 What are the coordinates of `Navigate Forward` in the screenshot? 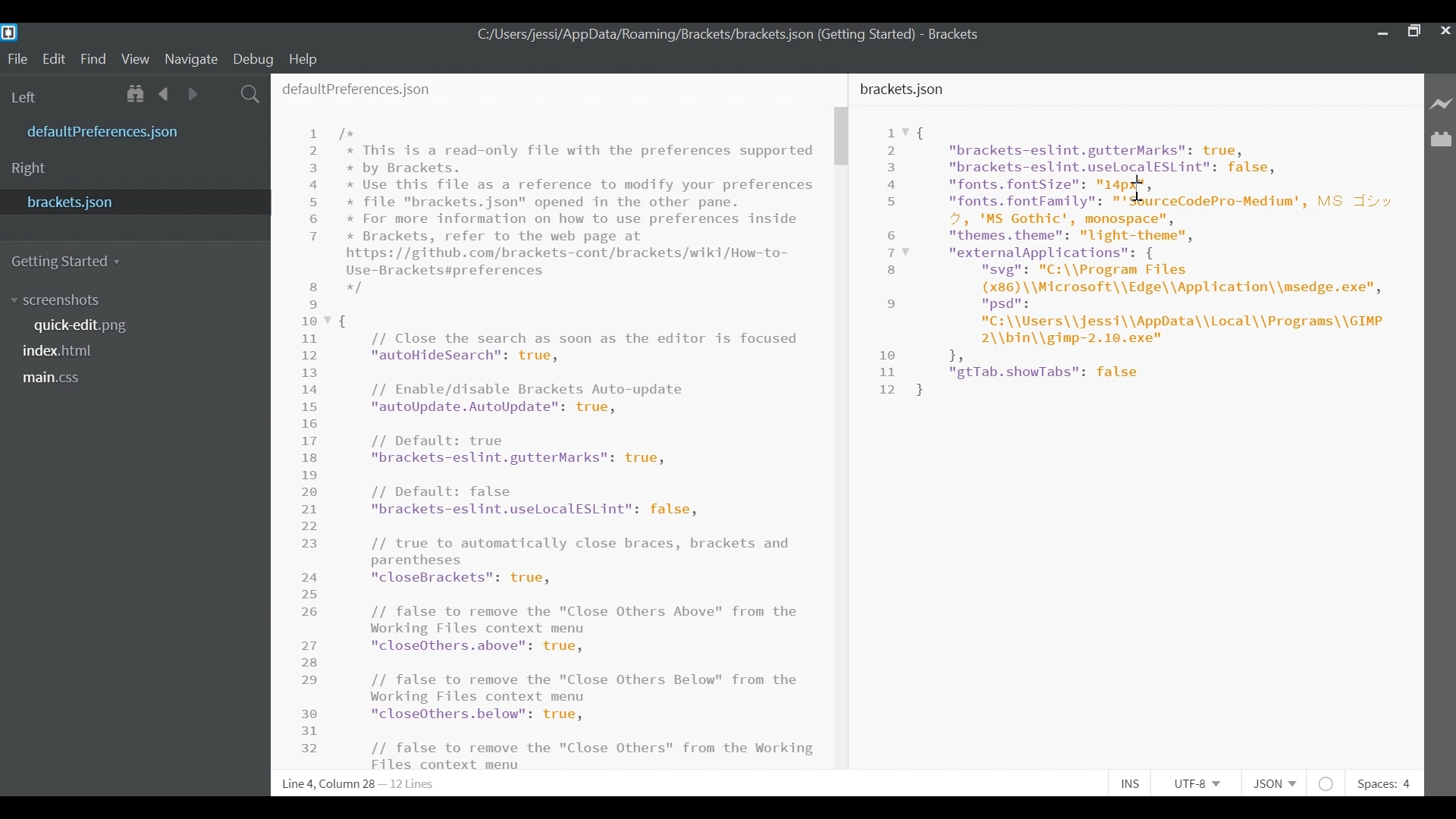 It's located at (194, 93).